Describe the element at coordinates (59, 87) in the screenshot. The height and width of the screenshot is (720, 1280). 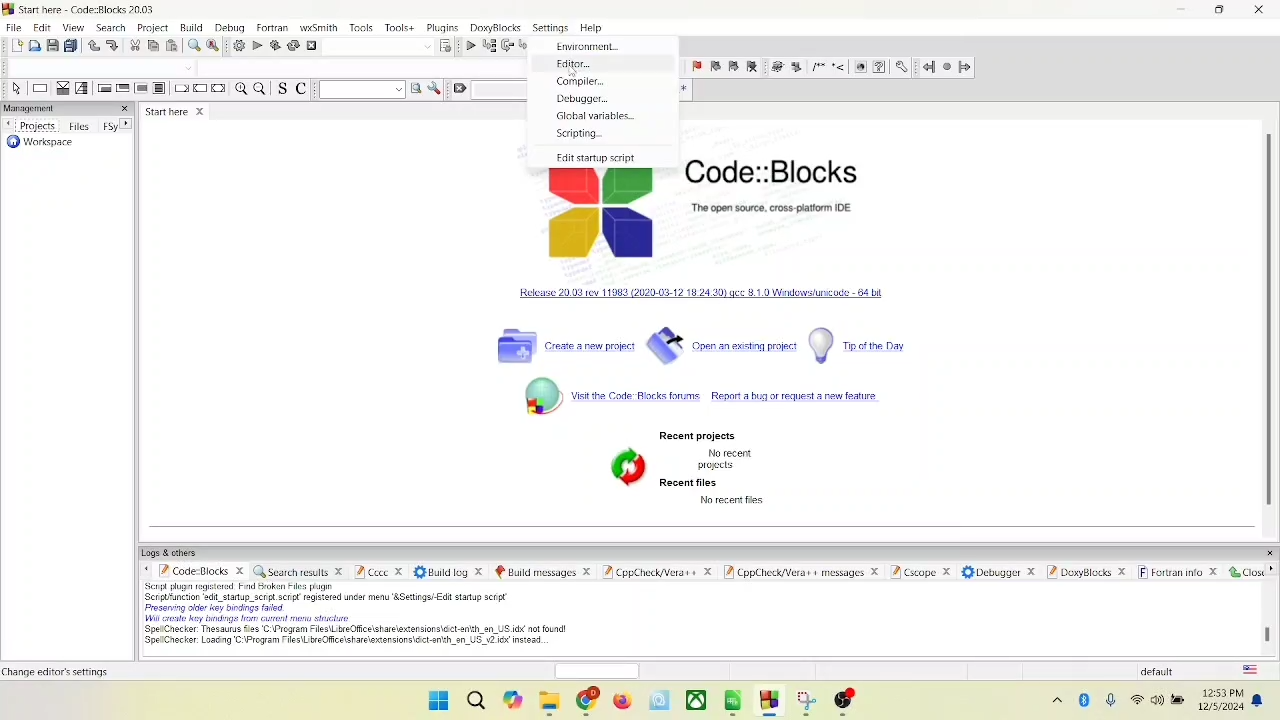
I see `decision` at that location.